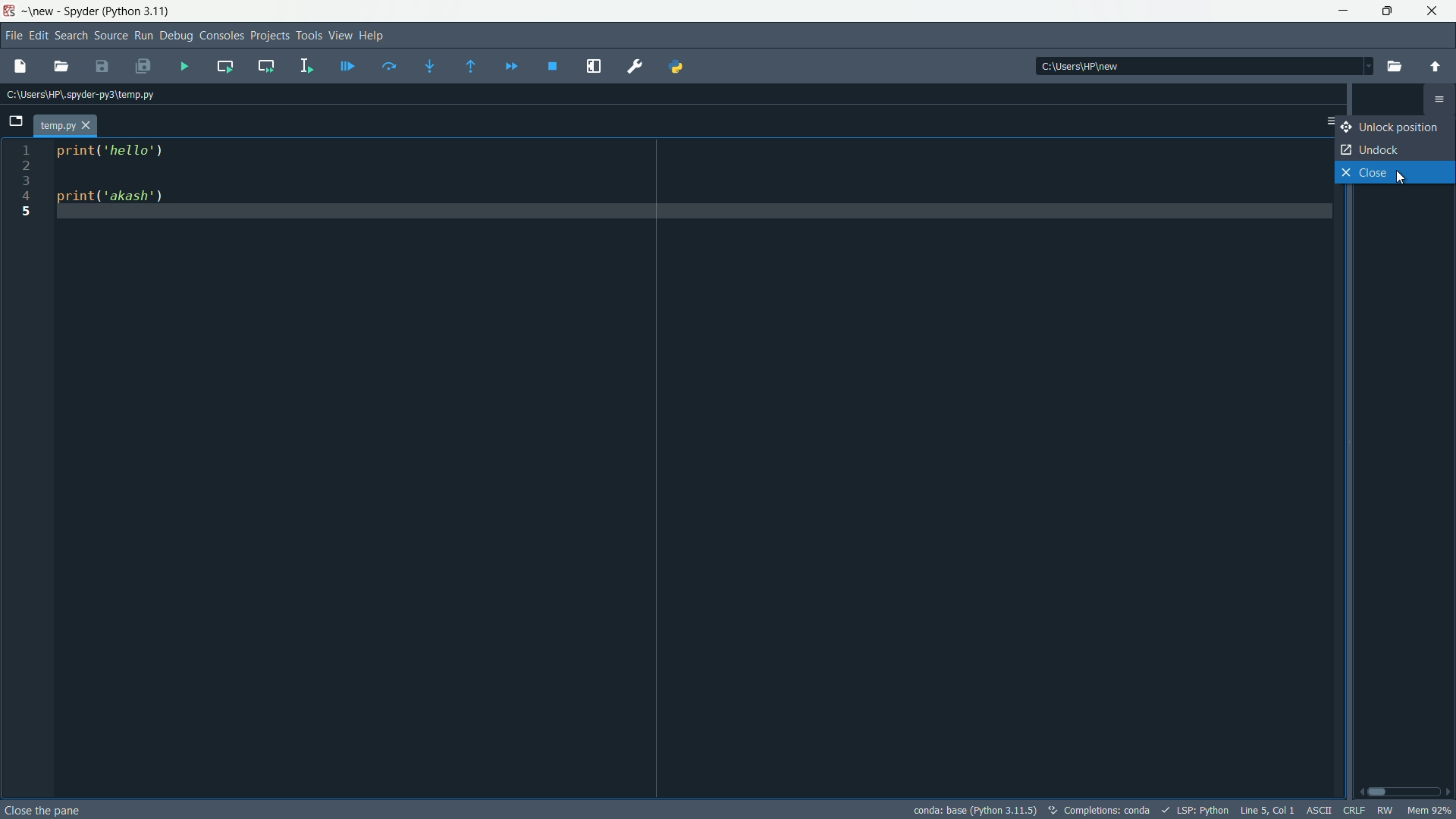 Image resolution: width=1456 pixels, height=819 pixels. Describe the element at coordinates (344, 66) in the screenshot. I see `debug current line` at that location.